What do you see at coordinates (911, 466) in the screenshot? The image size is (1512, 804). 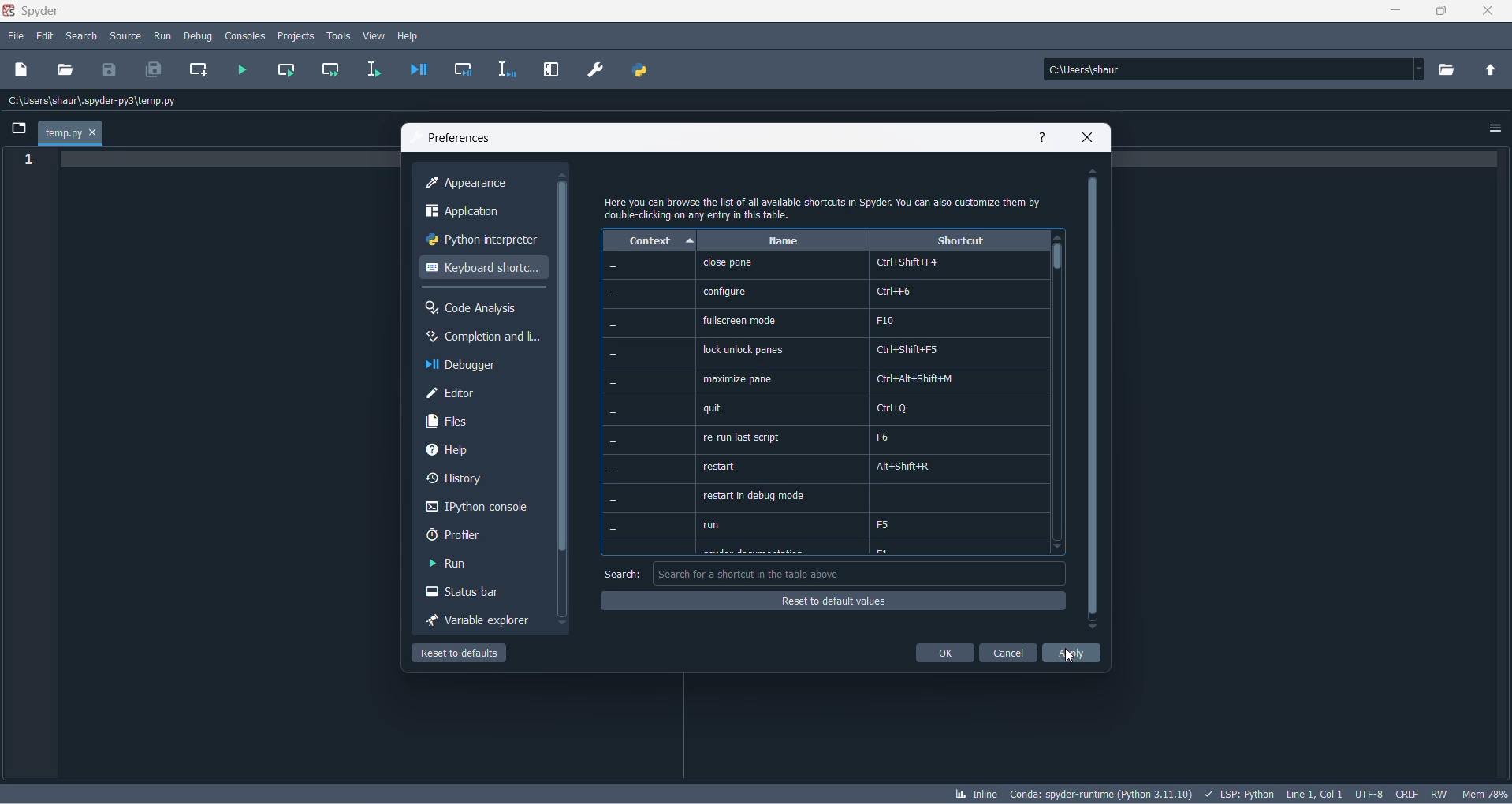 I see `Alt+Shift+R` at bounding box center [911, 466].